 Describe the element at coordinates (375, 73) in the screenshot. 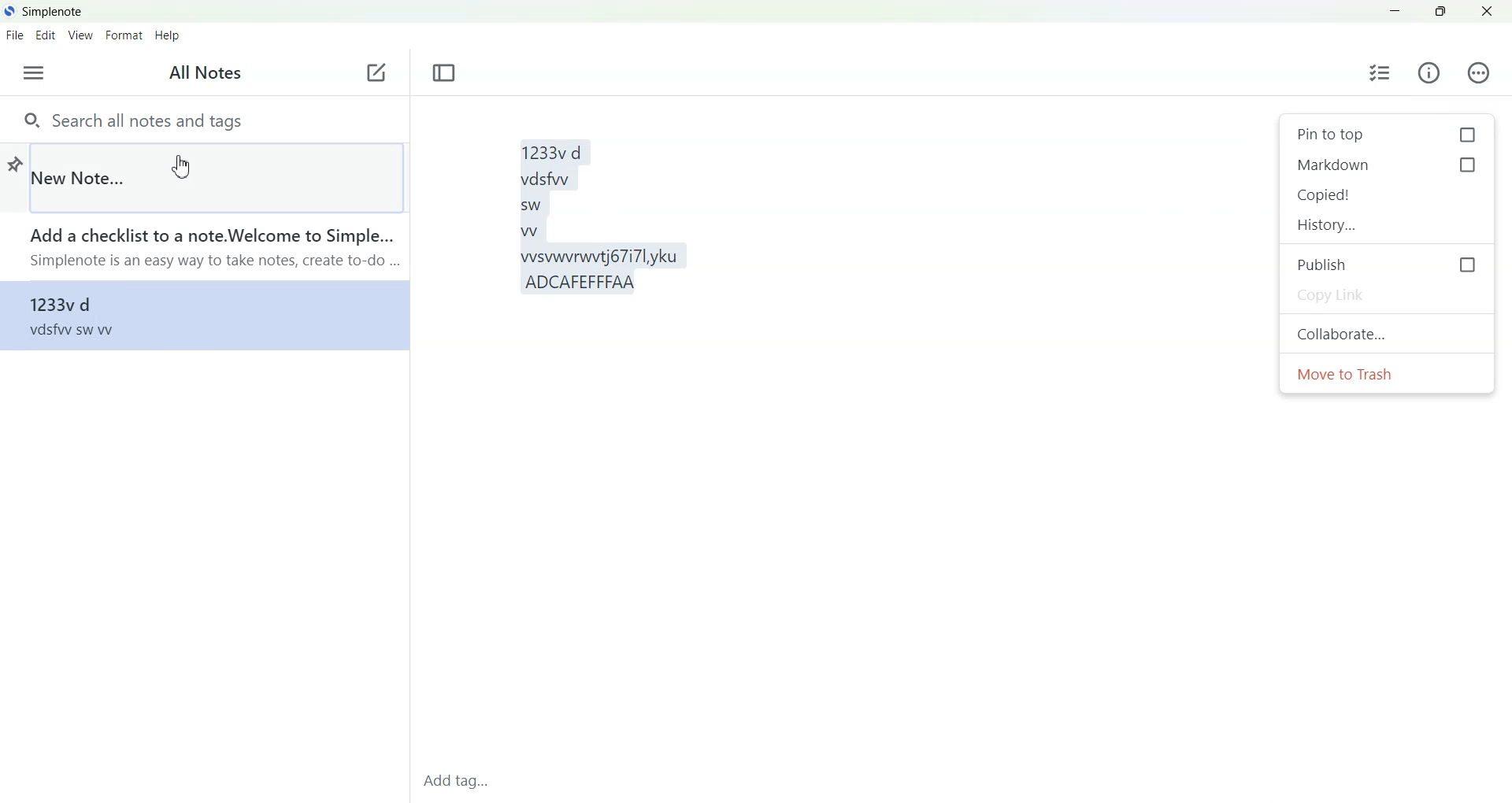

I see `Add new notes` at that location.